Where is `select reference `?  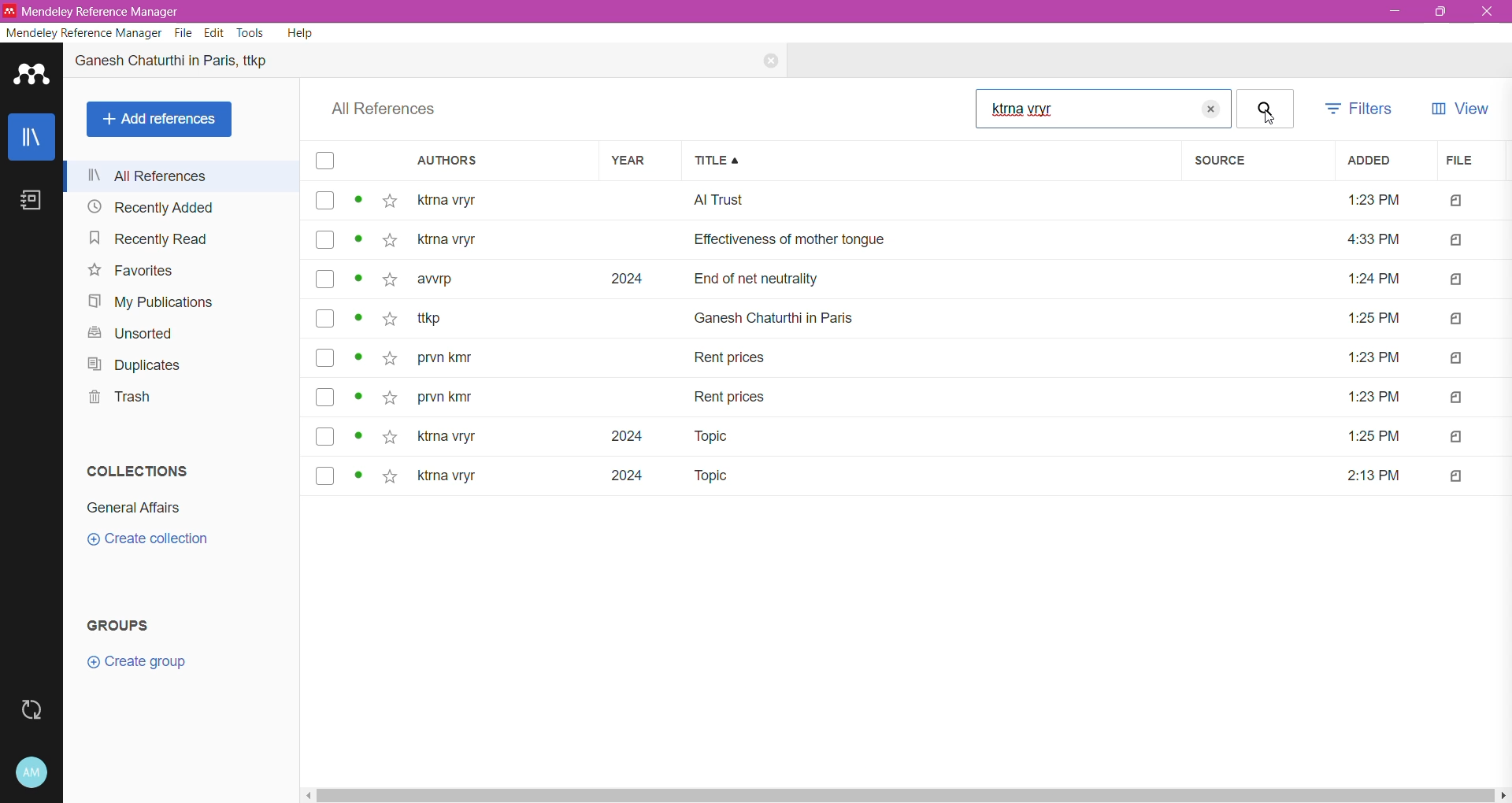 select reference  is located at coordinates (326, 475).